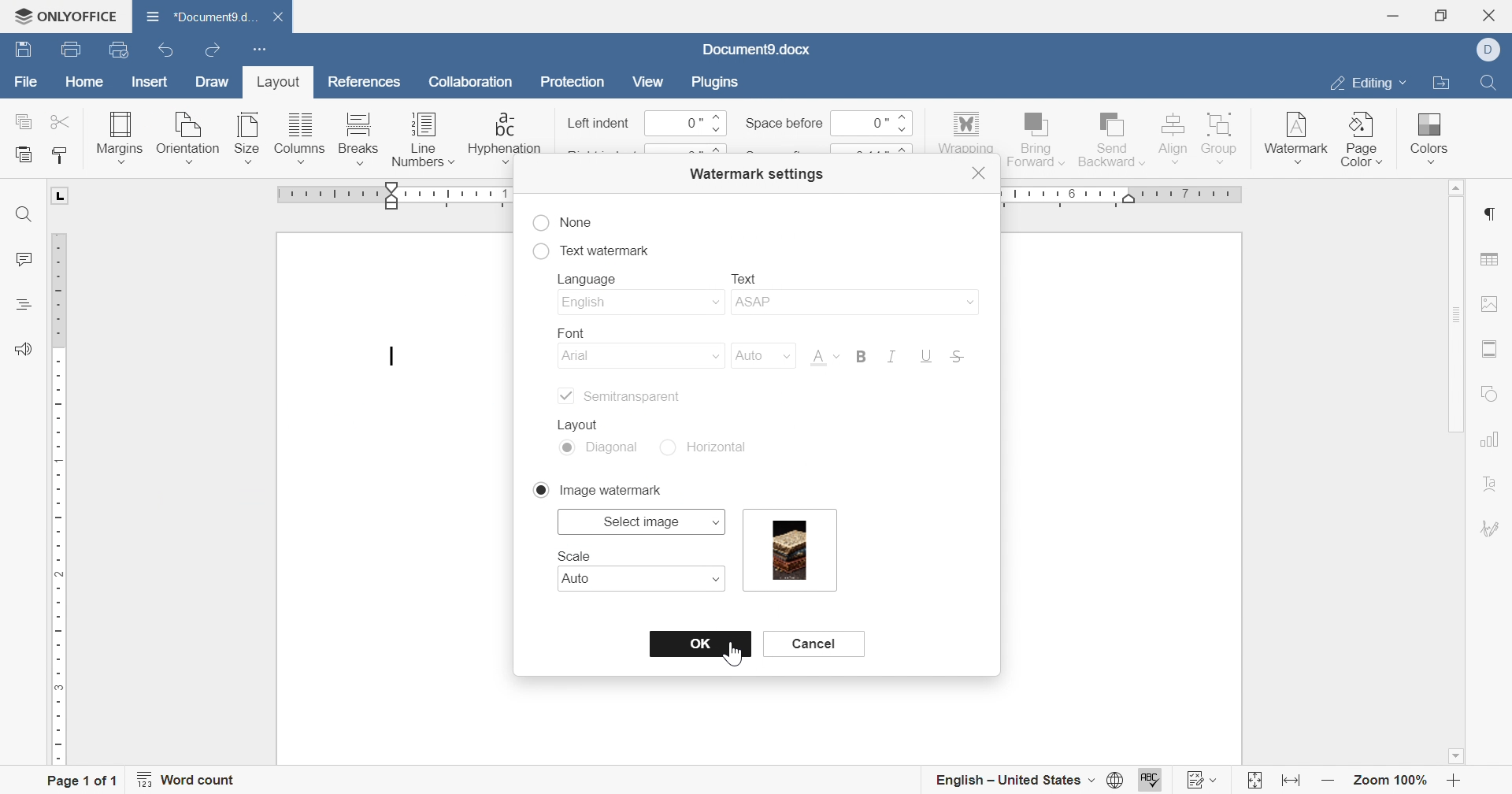  I want to click on group, so click(1221, 136).